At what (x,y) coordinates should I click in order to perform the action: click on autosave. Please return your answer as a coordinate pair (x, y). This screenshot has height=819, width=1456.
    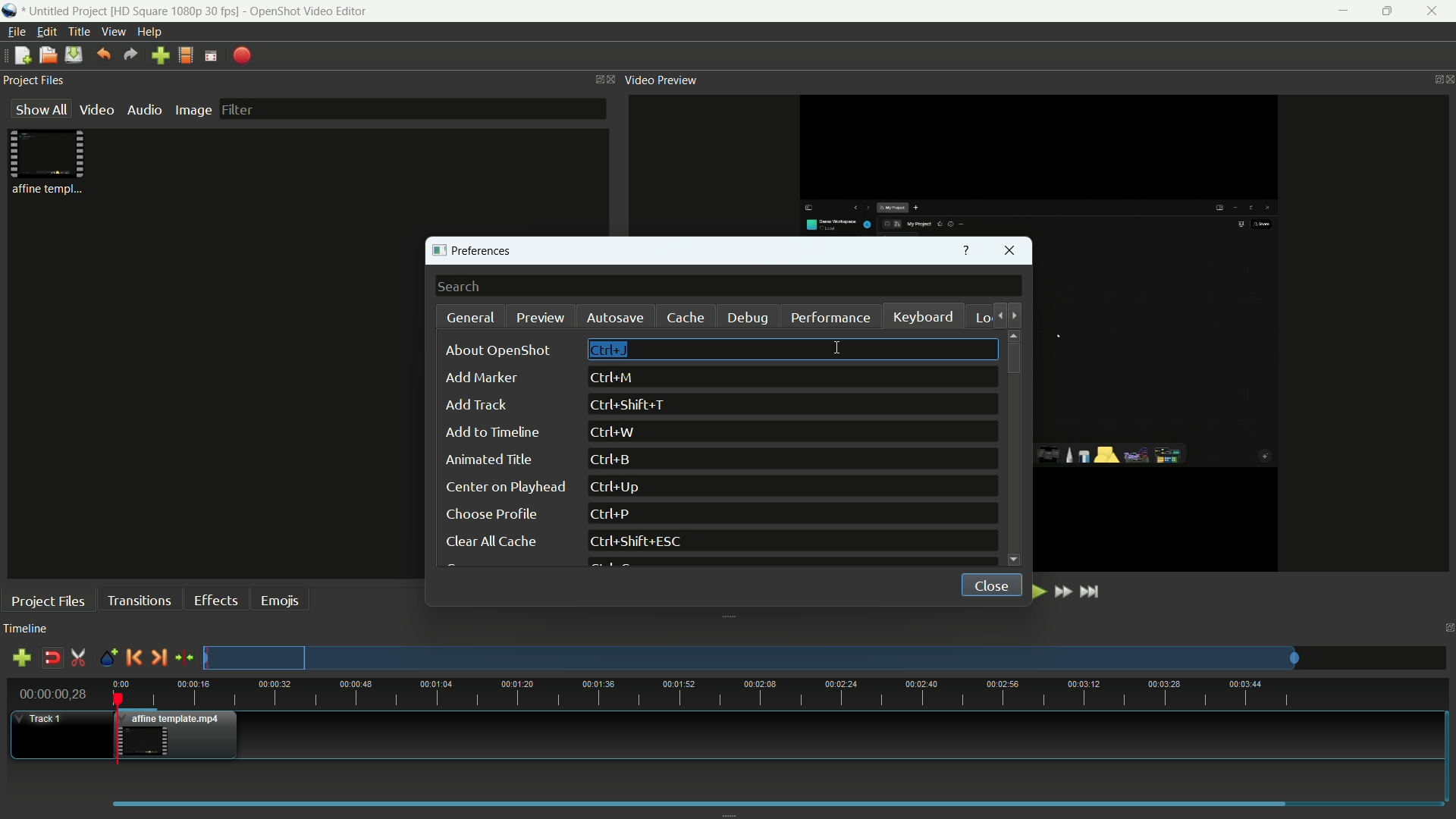
    Looking at the image, I should click on (613, 318).